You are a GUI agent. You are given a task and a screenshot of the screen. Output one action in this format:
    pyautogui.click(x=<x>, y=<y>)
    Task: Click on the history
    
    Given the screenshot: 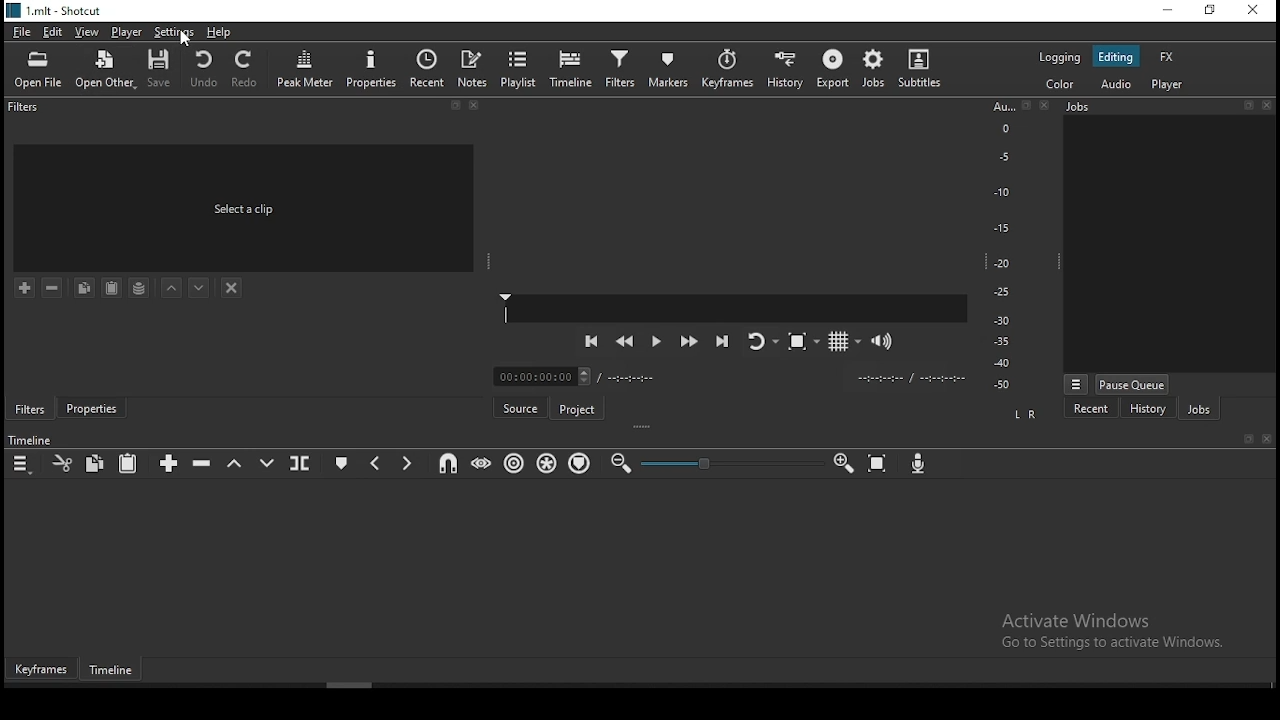 What is the action you would take?
    pyautogui.click(x=1148, y=409)
    